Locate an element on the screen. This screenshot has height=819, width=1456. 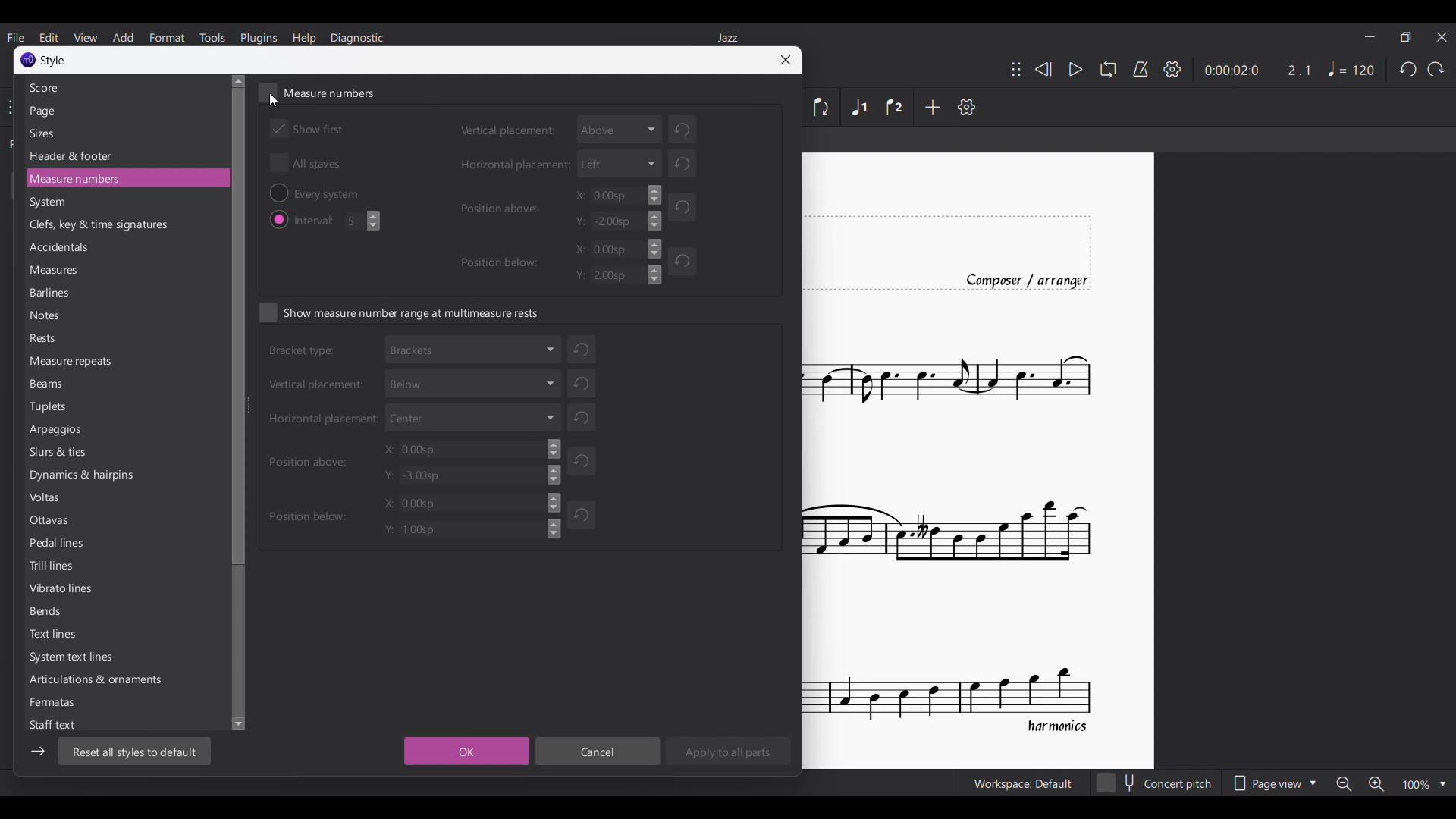
Software logo is located at coordinates (28, 60).